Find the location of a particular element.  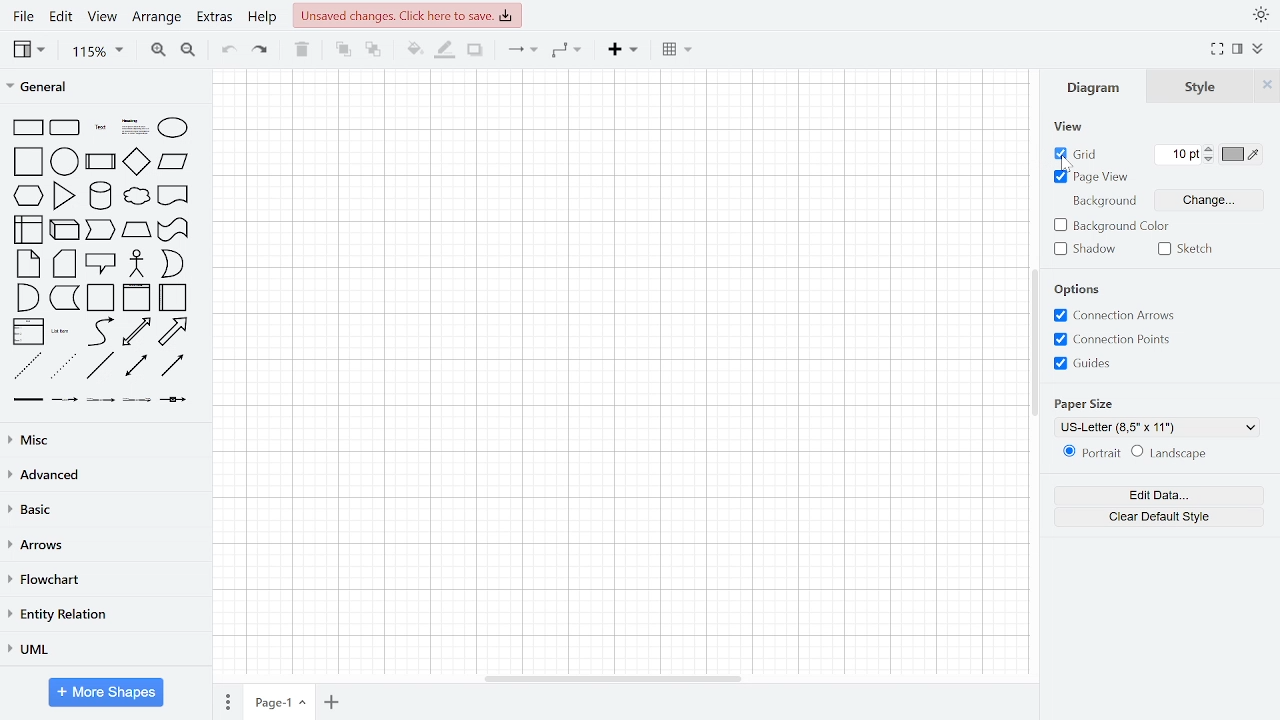

background is located at coordinates (1106, 203).